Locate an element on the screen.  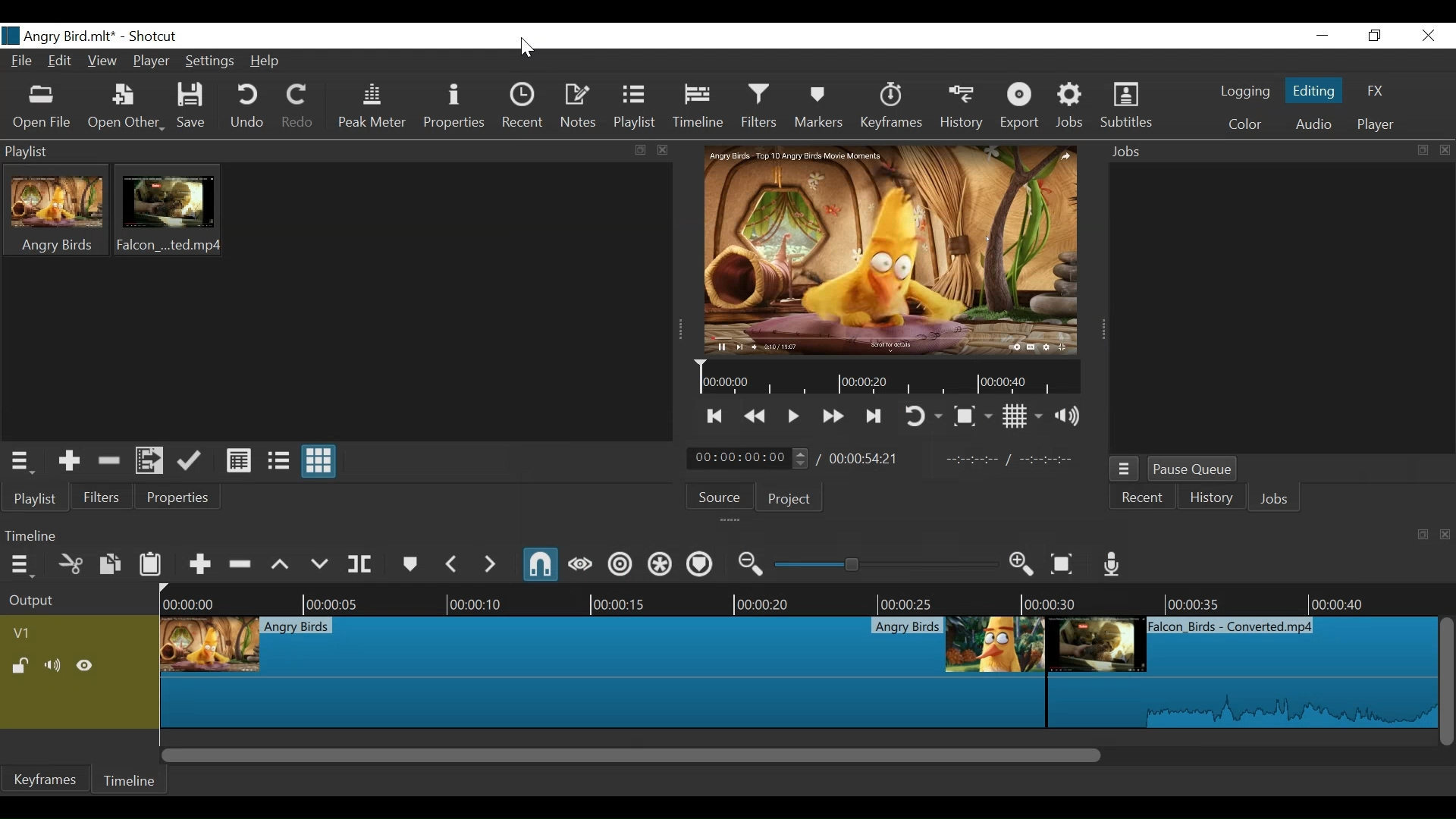
Ripple is located at coordinates (618, 565).